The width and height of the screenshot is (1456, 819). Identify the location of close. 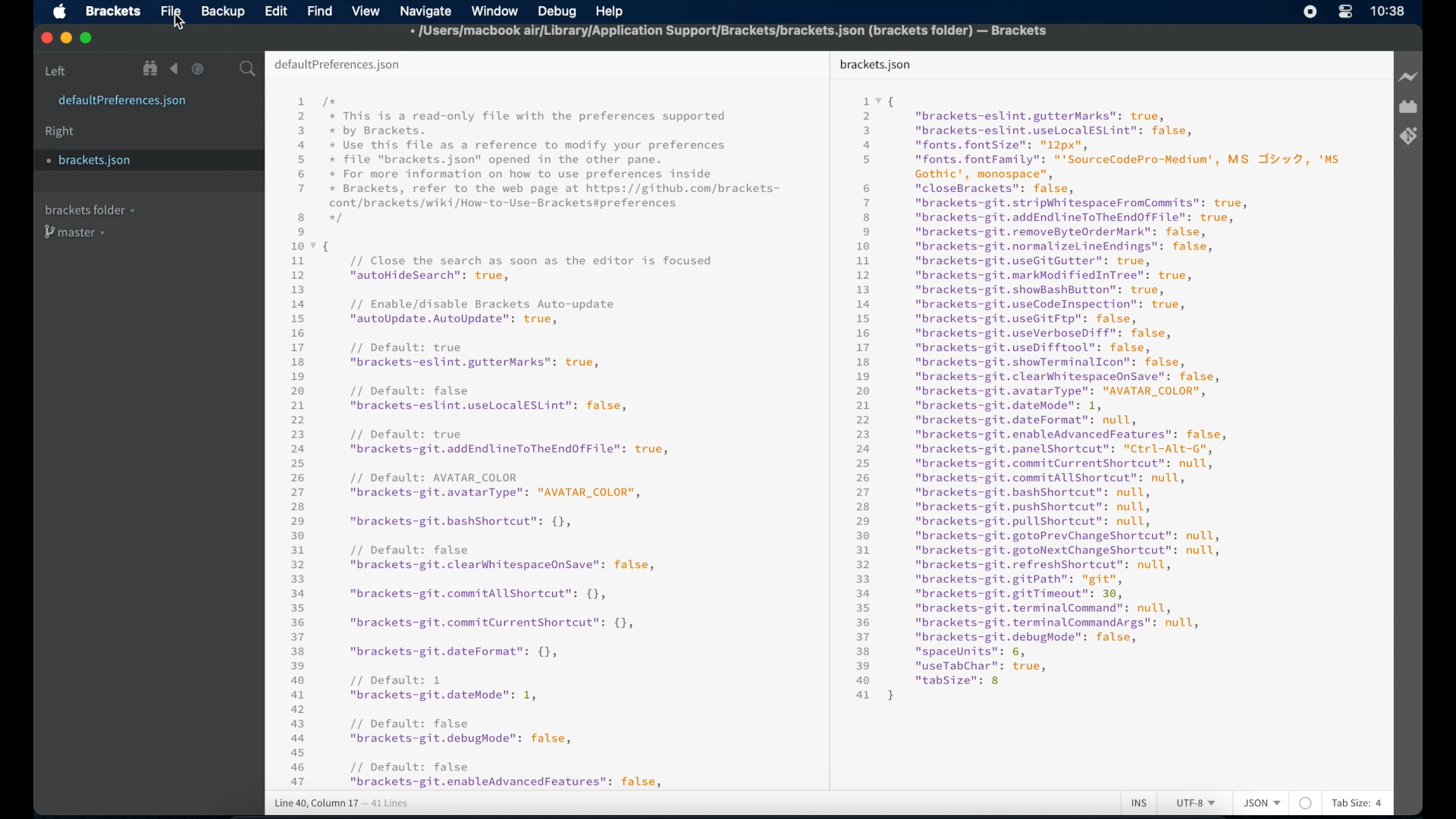
(47, 39).